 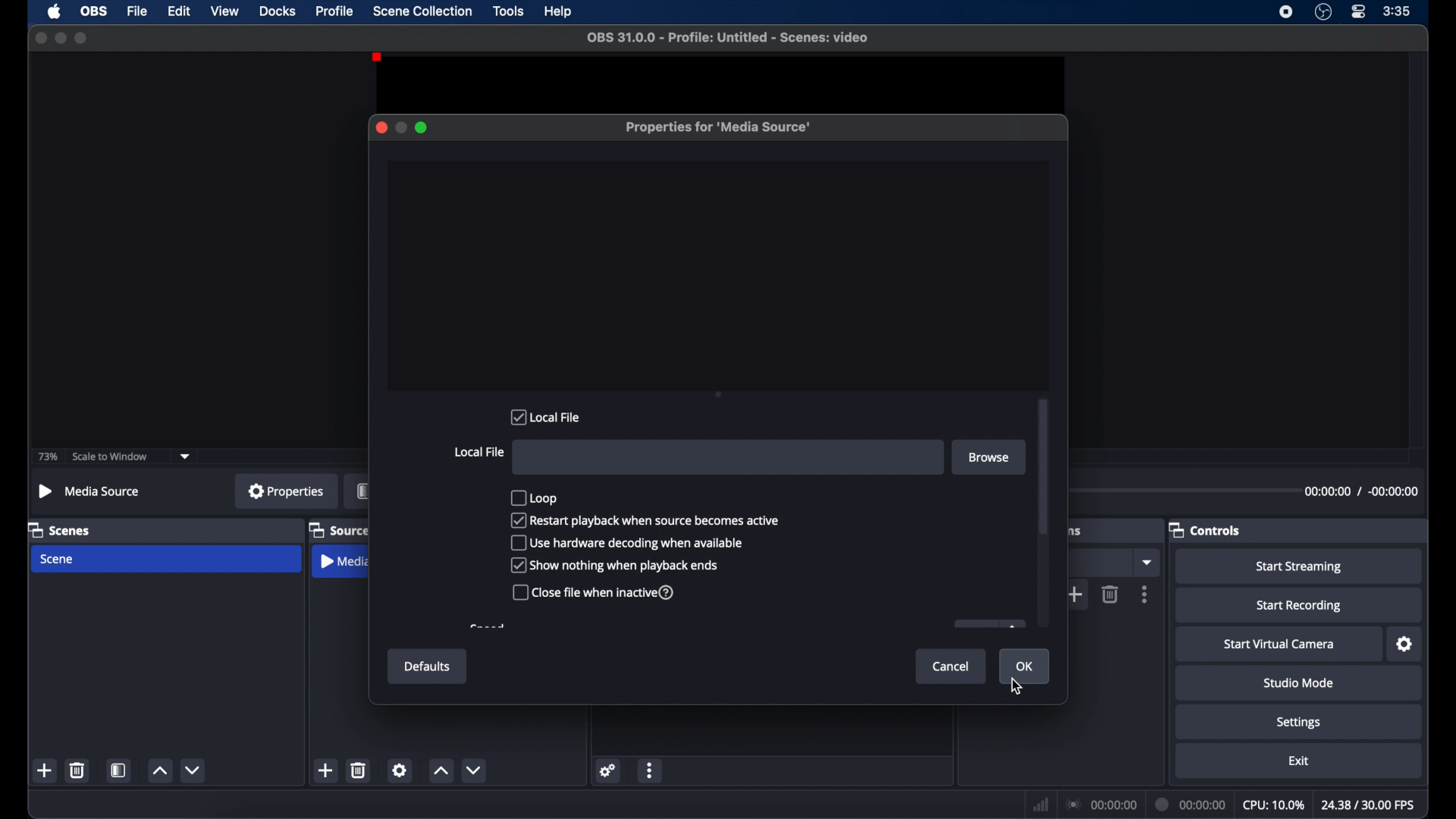 I want to click on fps, so click(x=1370, y=805).